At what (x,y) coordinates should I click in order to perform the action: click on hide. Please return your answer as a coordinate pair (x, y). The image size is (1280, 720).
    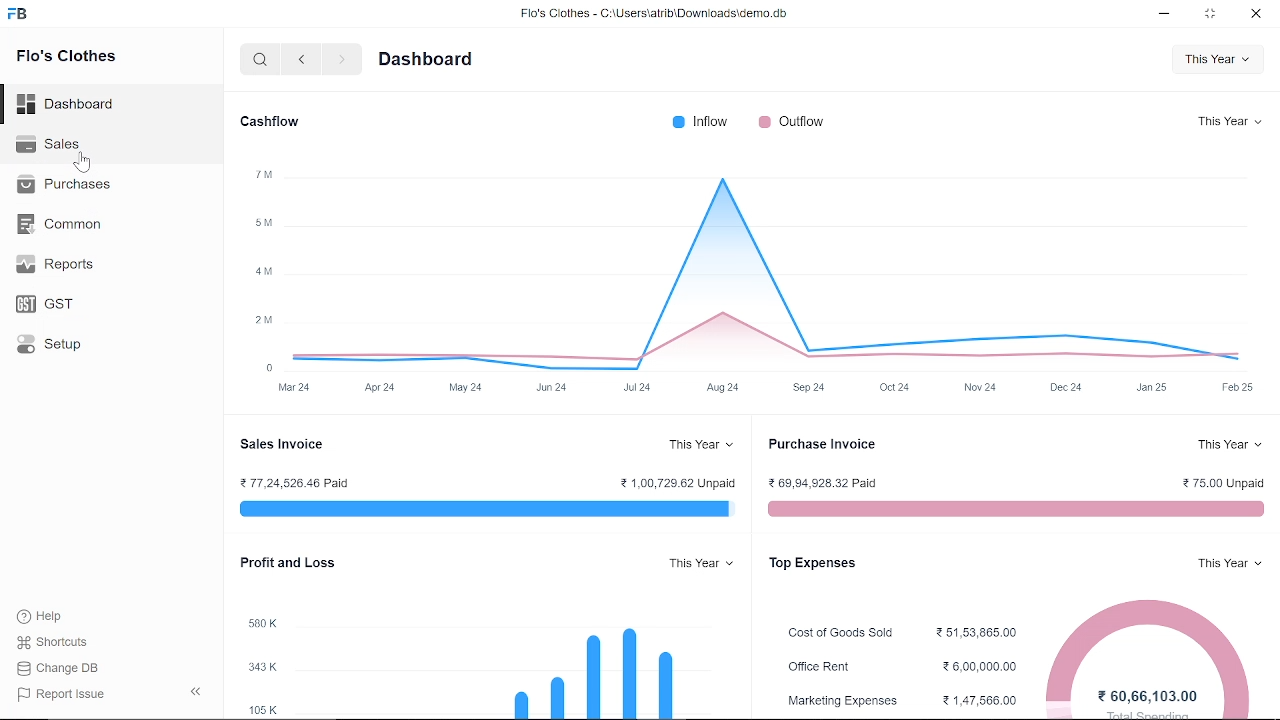
    Looking at the image, I should click on (197, 689).